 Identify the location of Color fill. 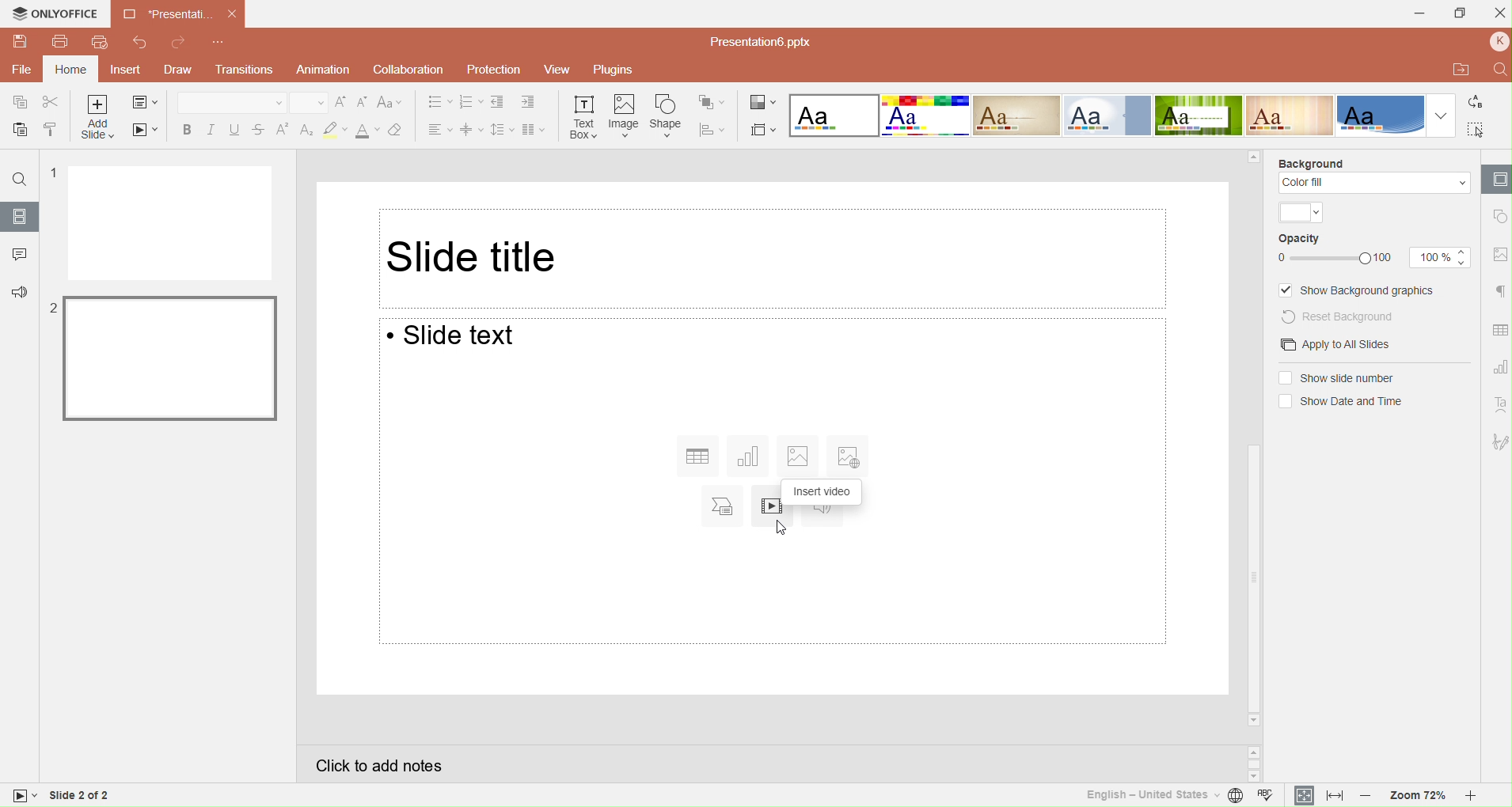
(1376, 184).